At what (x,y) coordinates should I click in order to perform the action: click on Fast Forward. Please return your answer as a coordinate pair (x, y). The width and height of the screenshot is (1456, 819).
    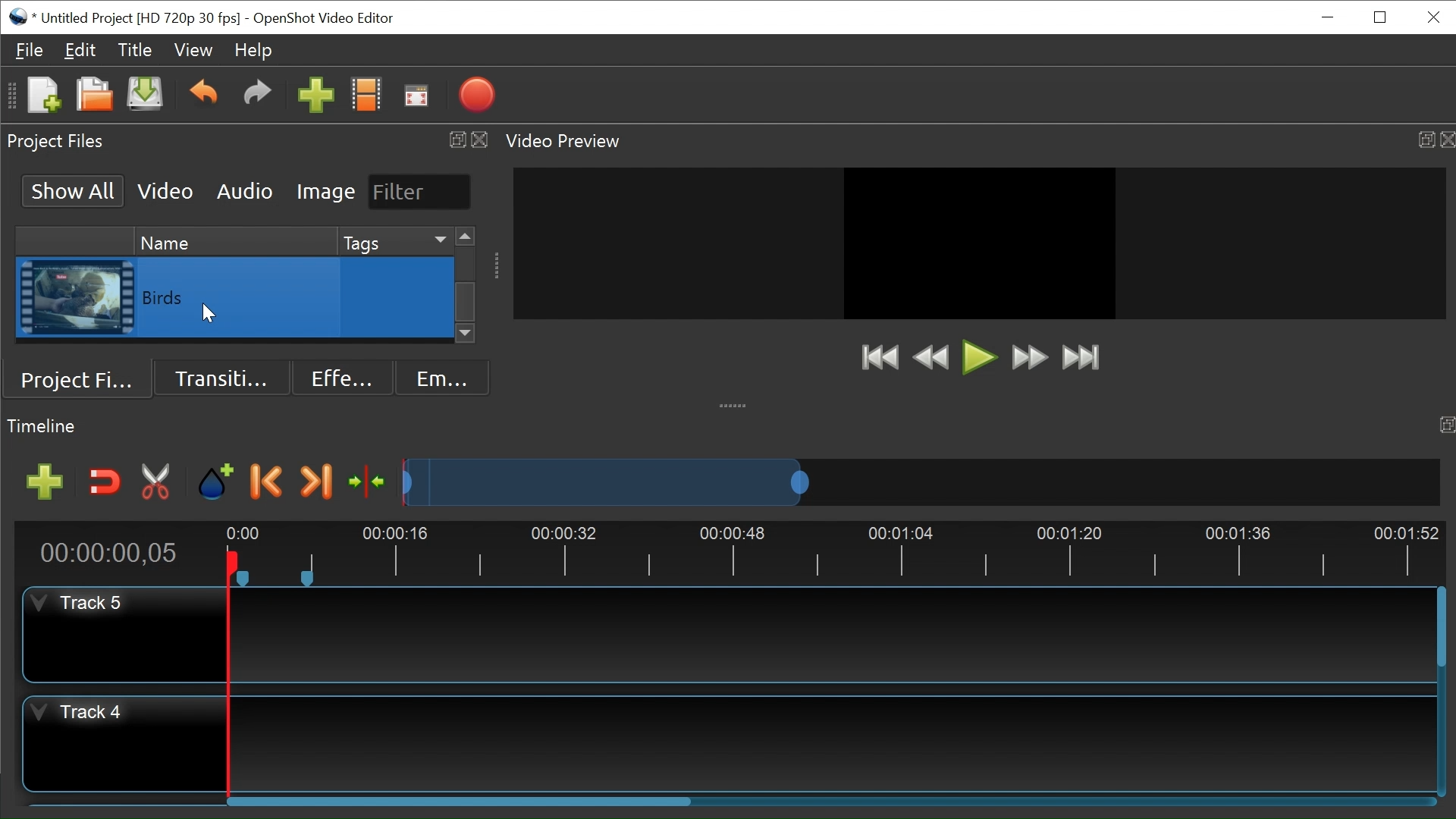
    Looking at the image, I should click on (1029, 359).